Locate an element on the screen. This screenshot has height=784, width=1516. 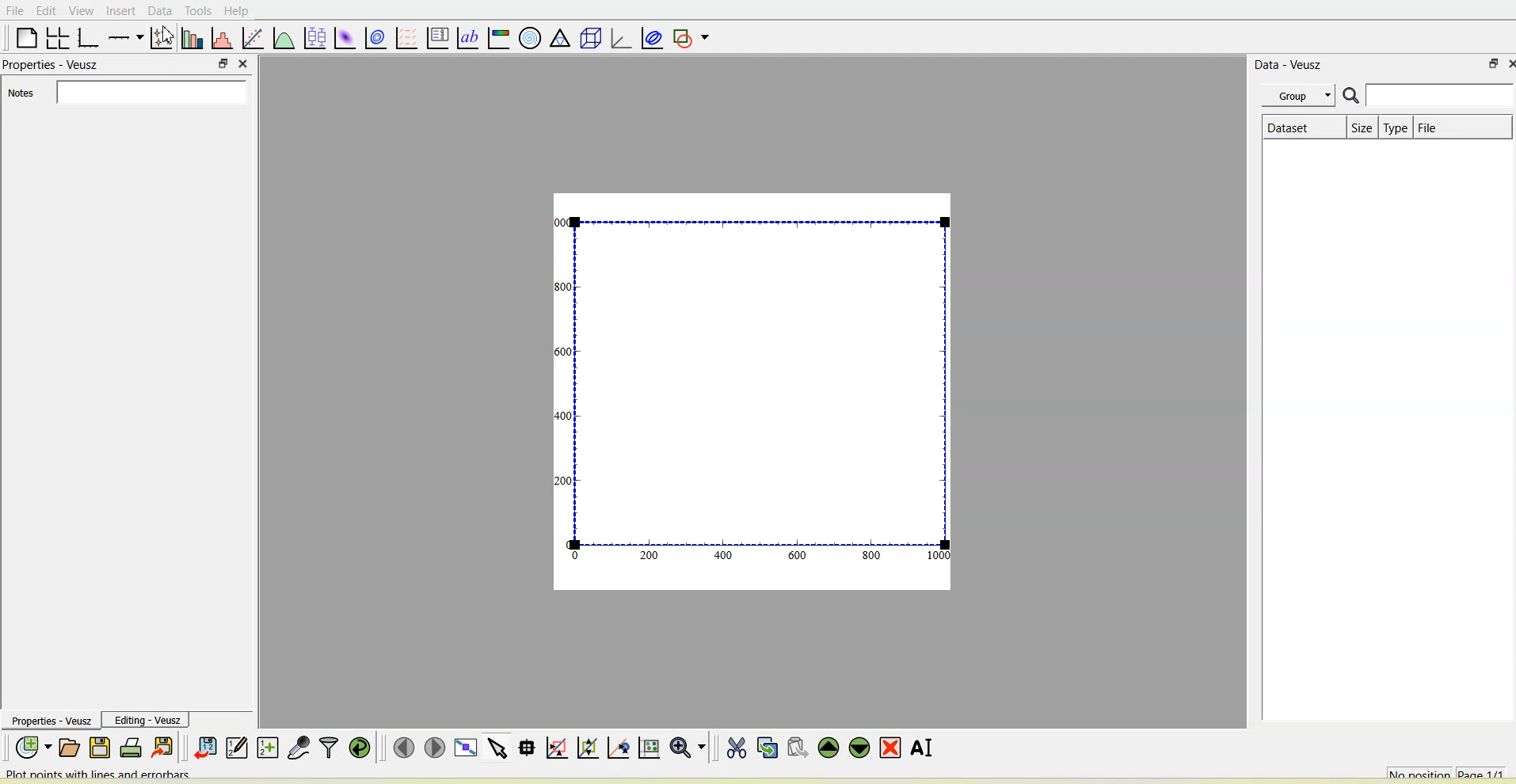
Base graph is located at coordinates (87, 38).